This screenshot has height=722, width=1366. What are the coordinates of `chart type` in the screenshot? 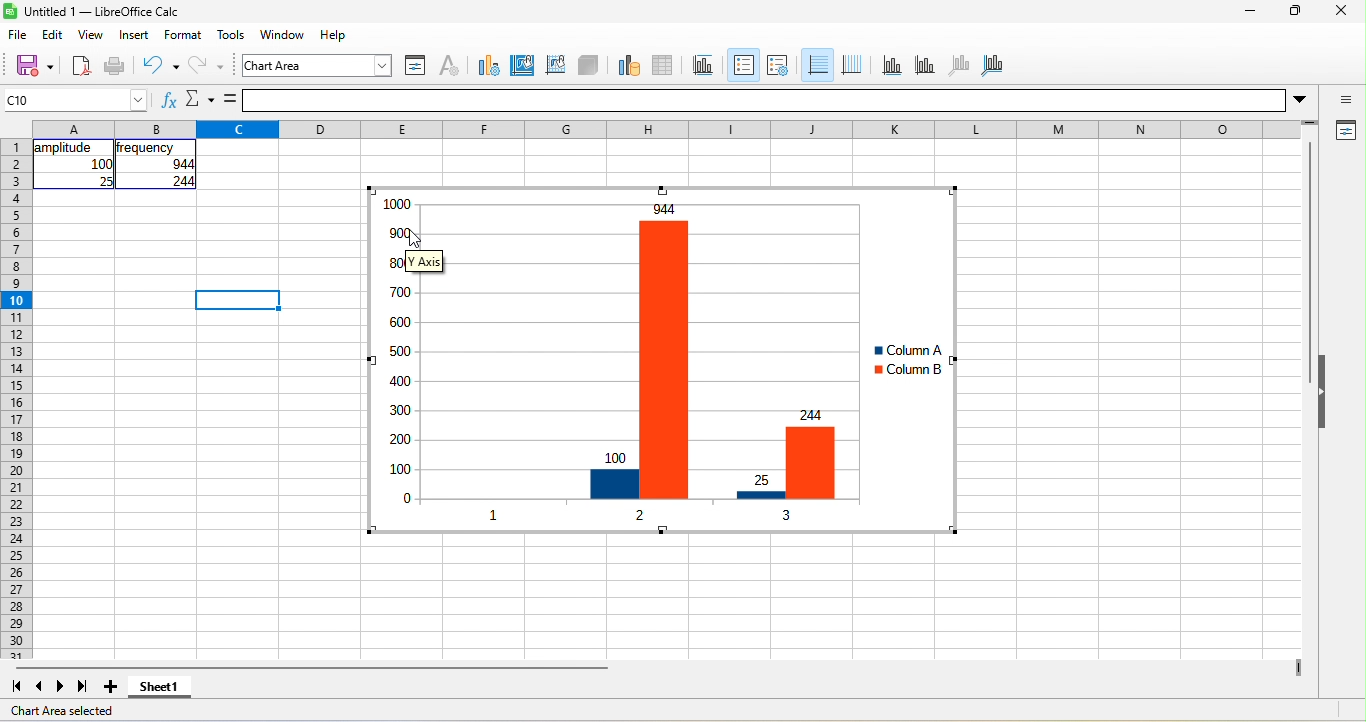 It's located at (485, 64).